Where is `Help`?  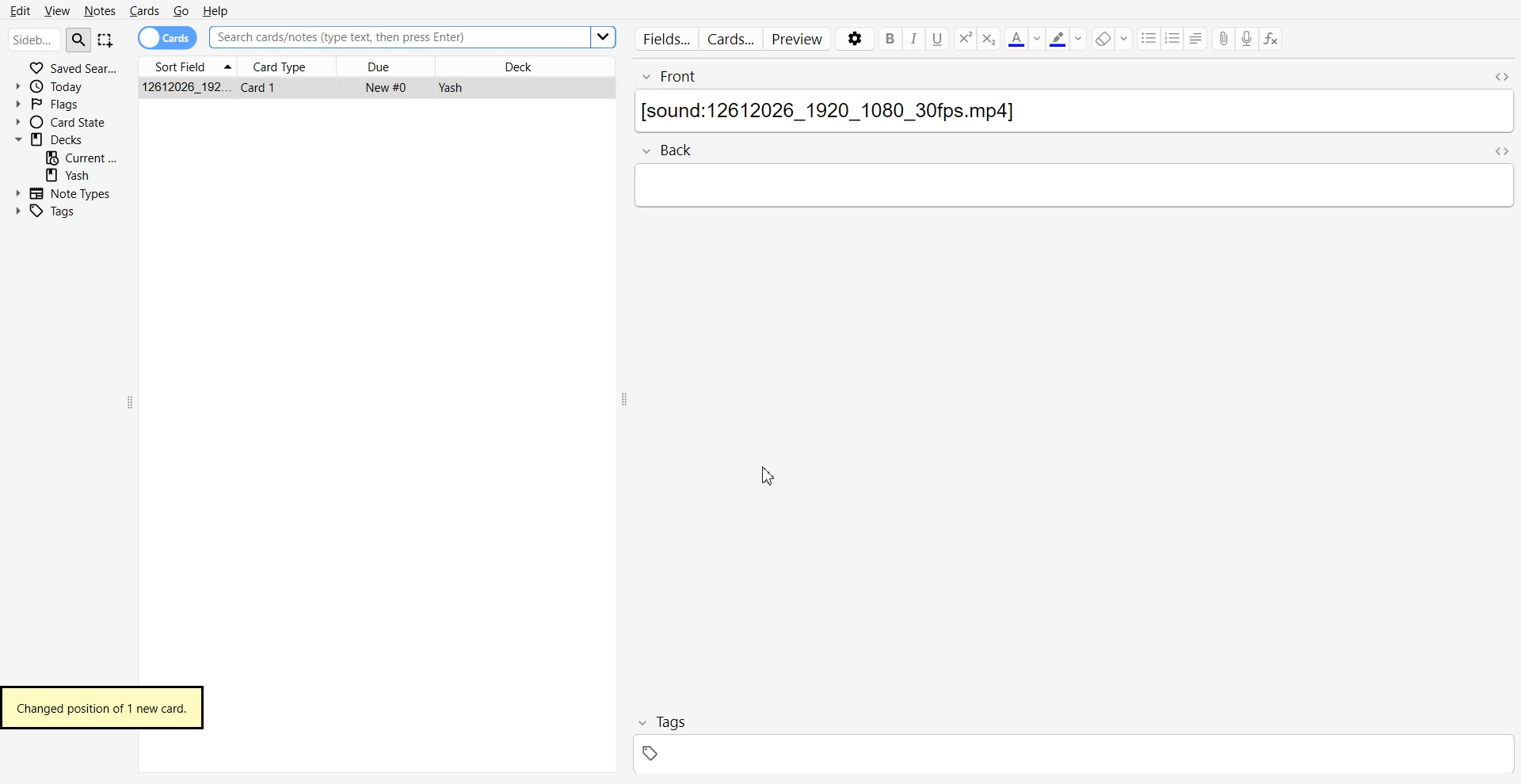
Help is located at coordinates (217, 10).